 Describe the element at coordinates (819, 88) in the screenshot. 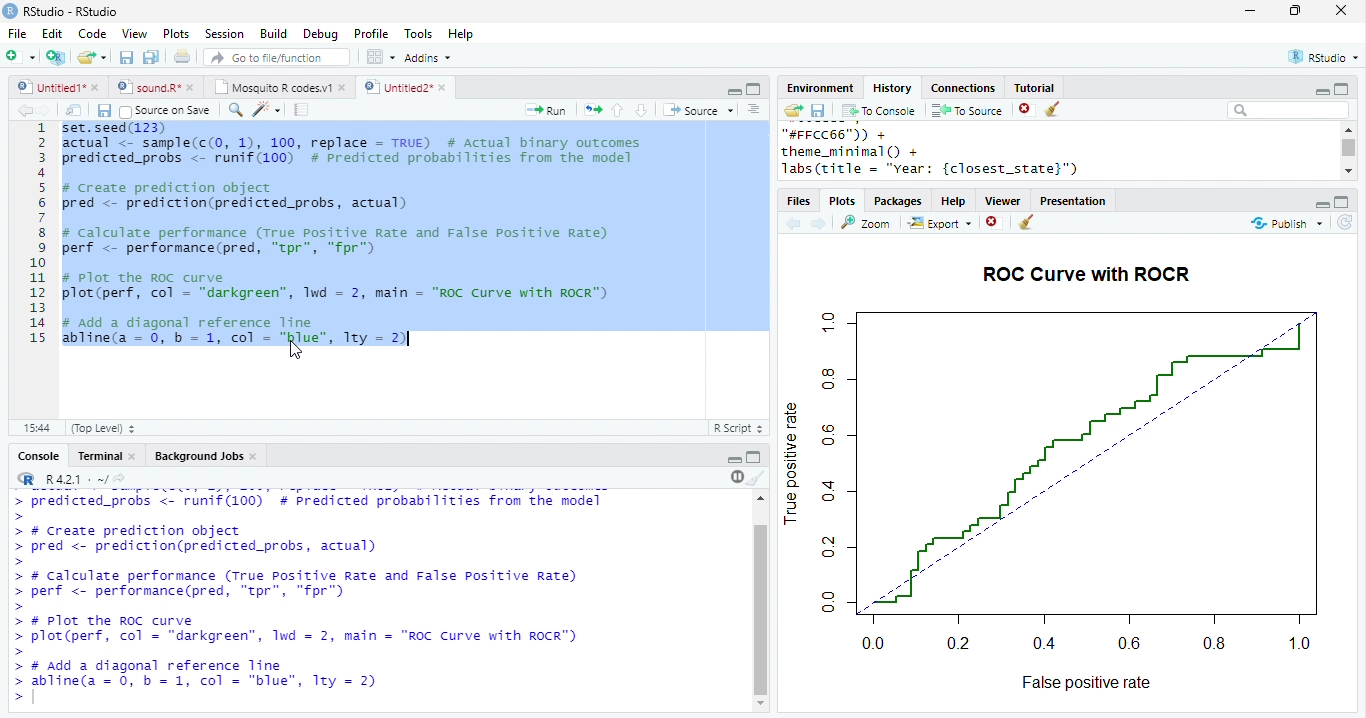

I see `Environment` at that location.